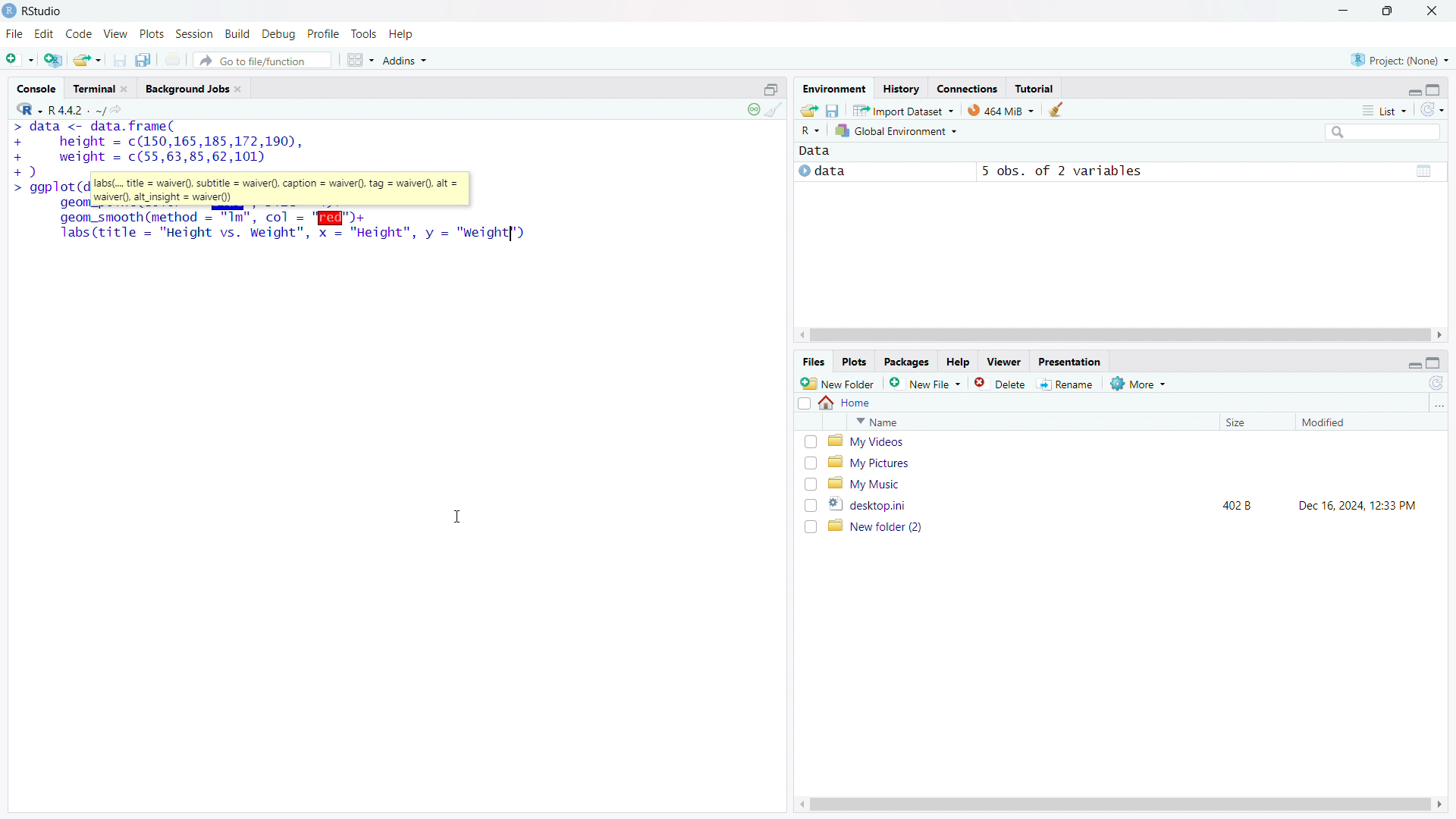 This screenshot has height=819, width=1456. Describe the element at coordinates (833, 86) in the screenshot. I see `environemnet` at that location.